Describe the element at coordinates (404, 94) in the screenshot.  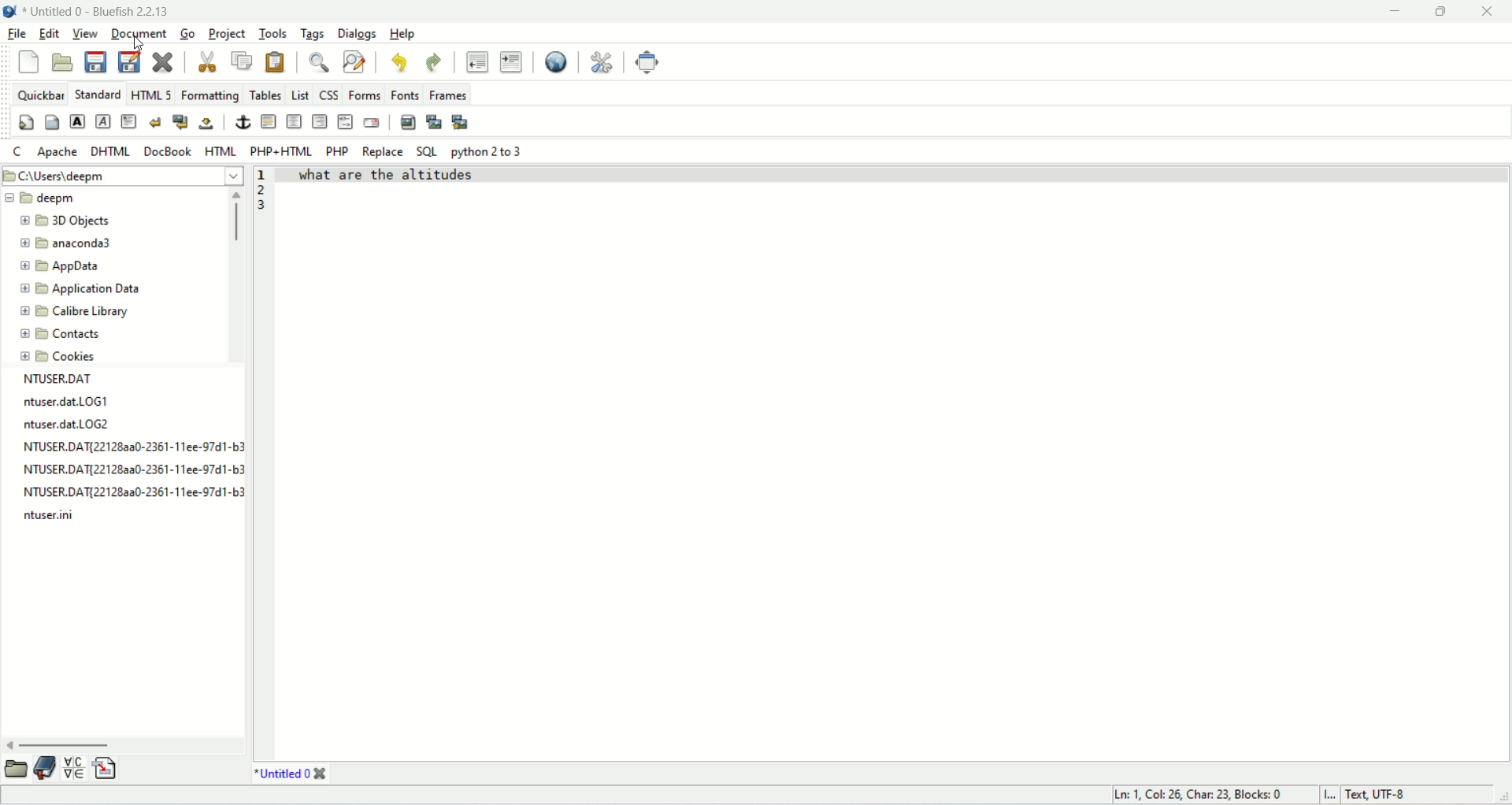
I see `fonts` at that location.